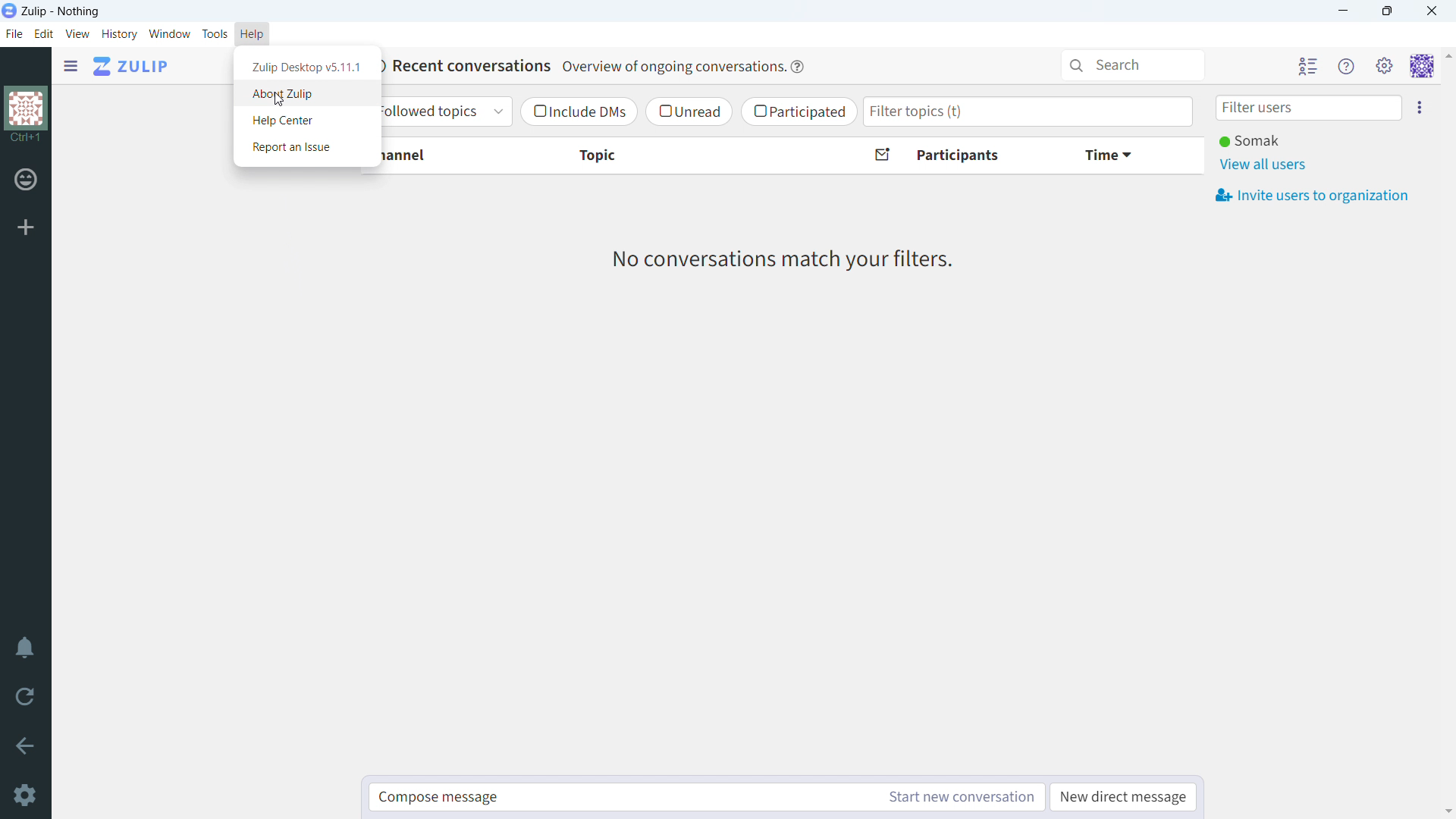 This screenshot has height=819, width=1456. I want to click on edit, so click(45, 34).